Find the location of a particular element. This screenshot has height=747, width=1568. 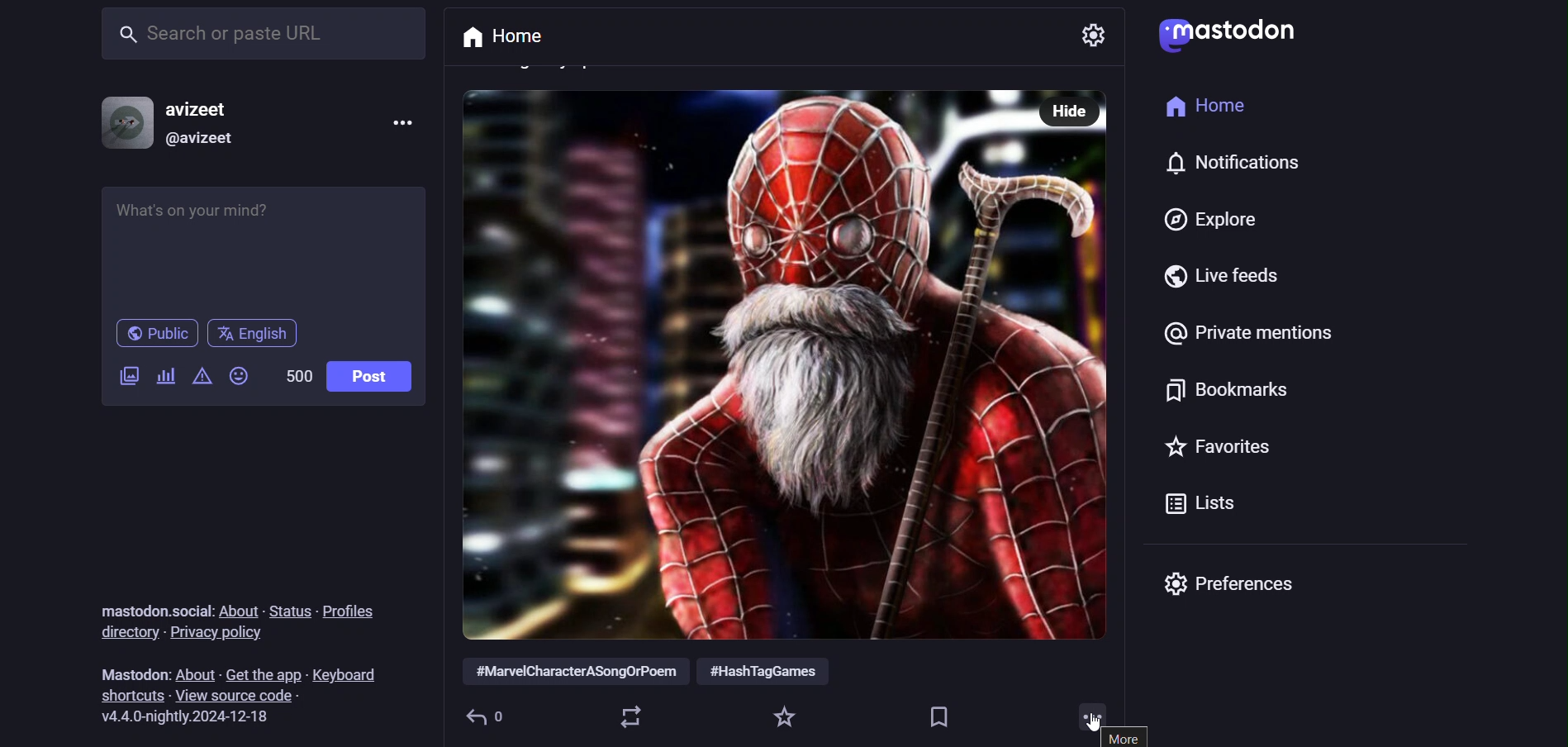

mastodon.social is located at coordinates (147, 607).